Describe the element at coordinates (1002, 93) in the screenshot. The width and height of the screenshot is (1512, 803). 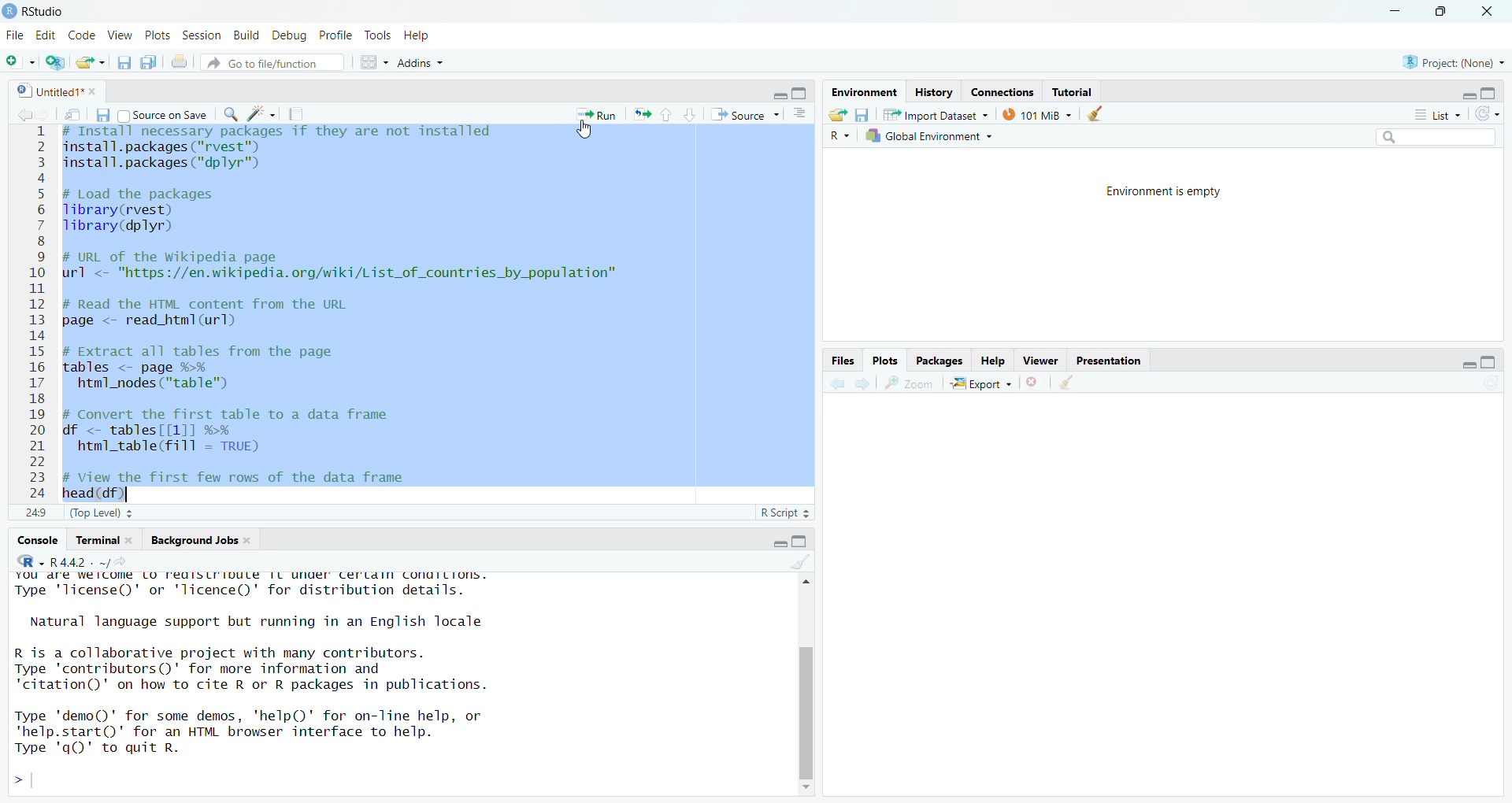
I see `Connections` at that location.